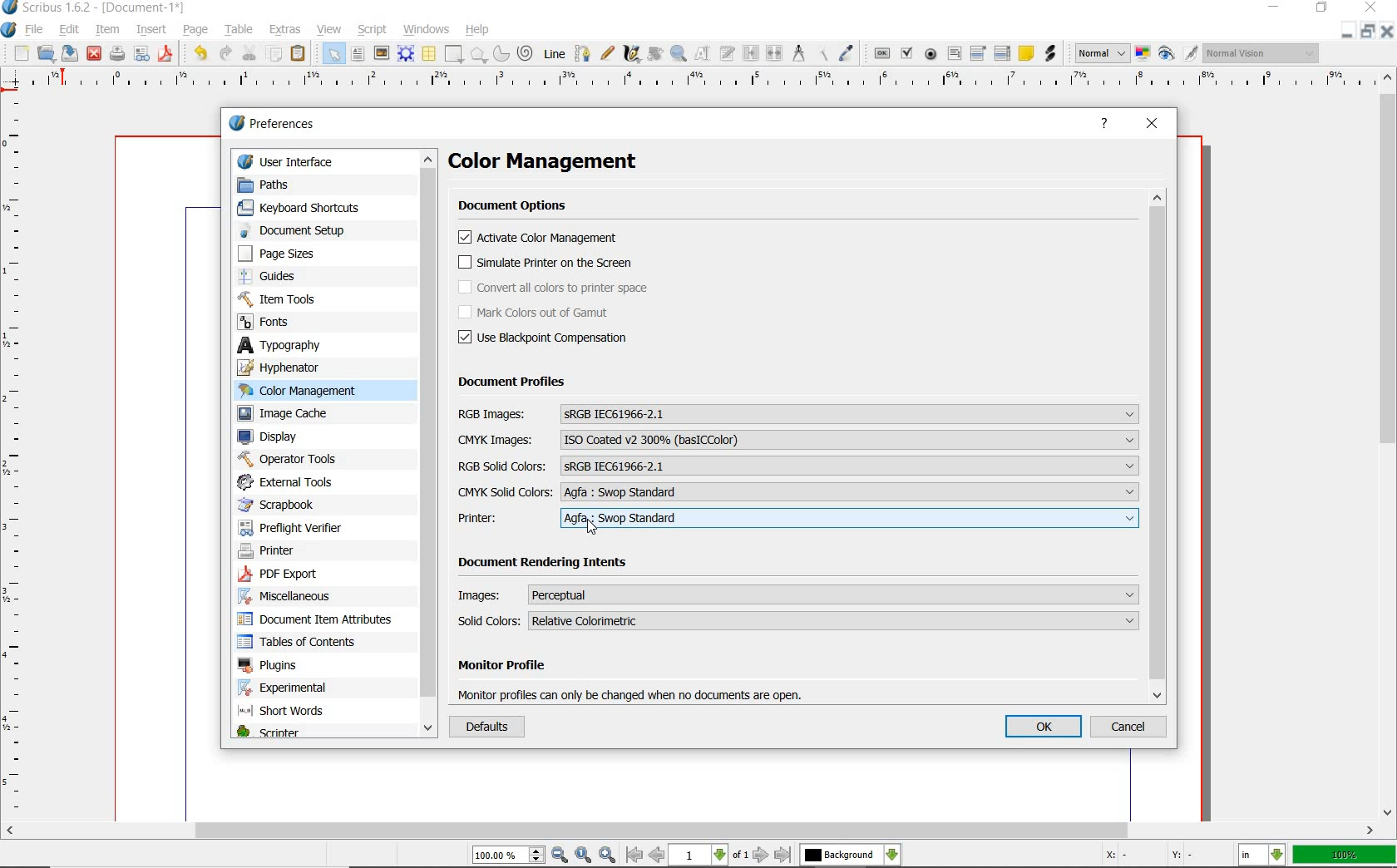  What do you see at coordinates (429, 55) in the screenshot?
I see `table` at bounding box center [429, 55].